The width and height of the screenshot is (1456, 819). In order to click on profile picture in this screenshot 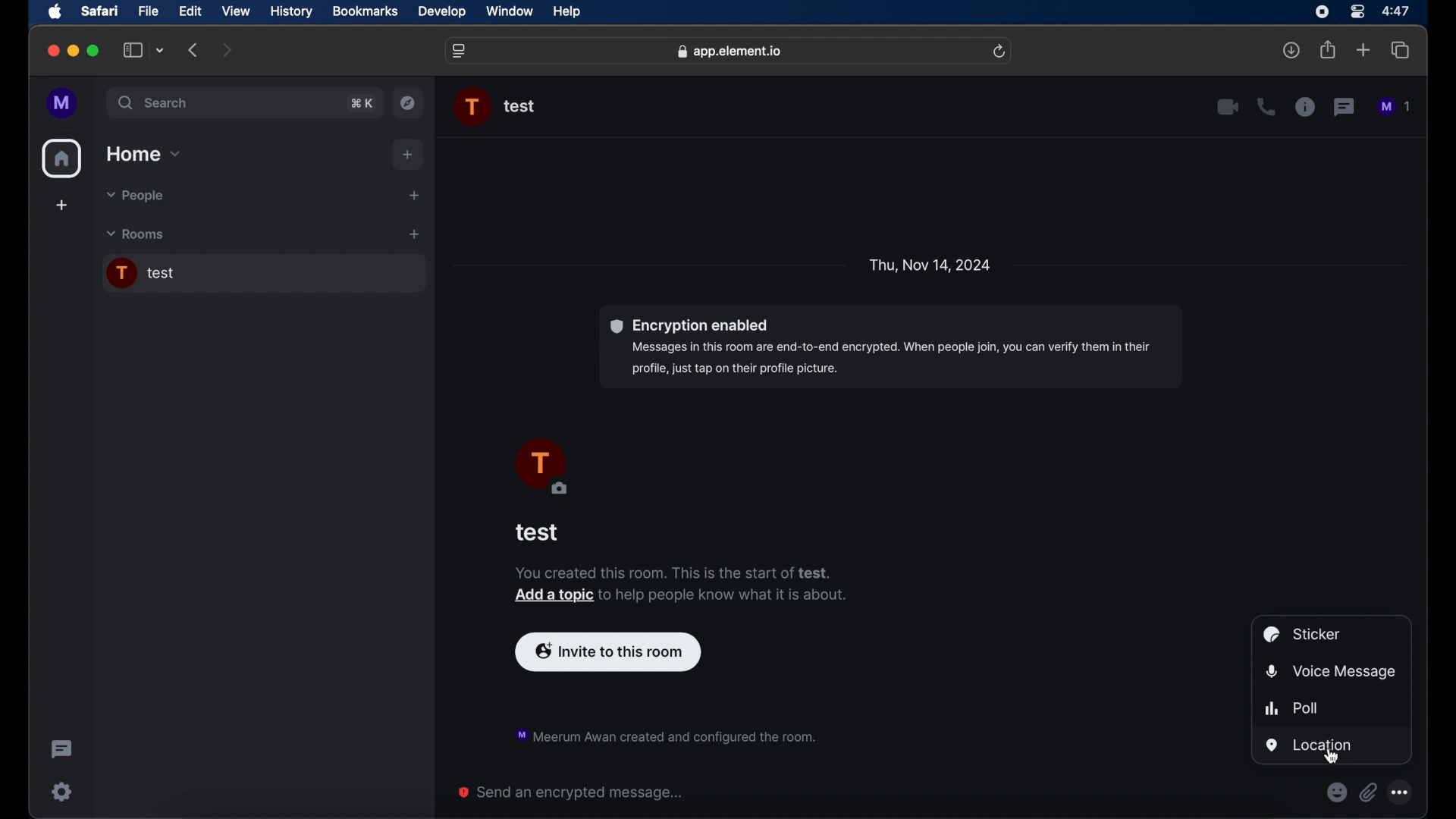, I will do `click(473, 107)`.